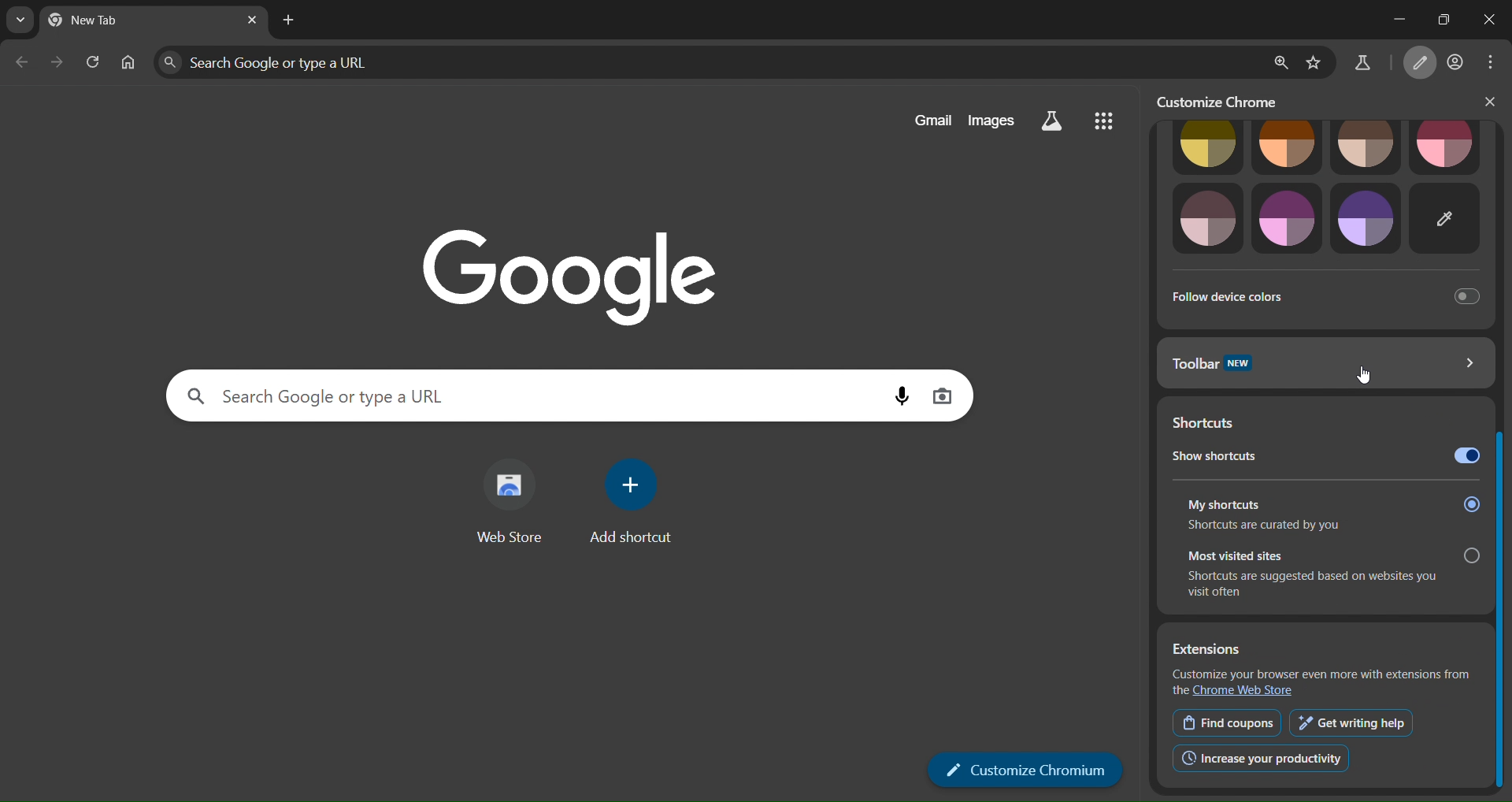  I want to click on voice search, so click(902, 395).